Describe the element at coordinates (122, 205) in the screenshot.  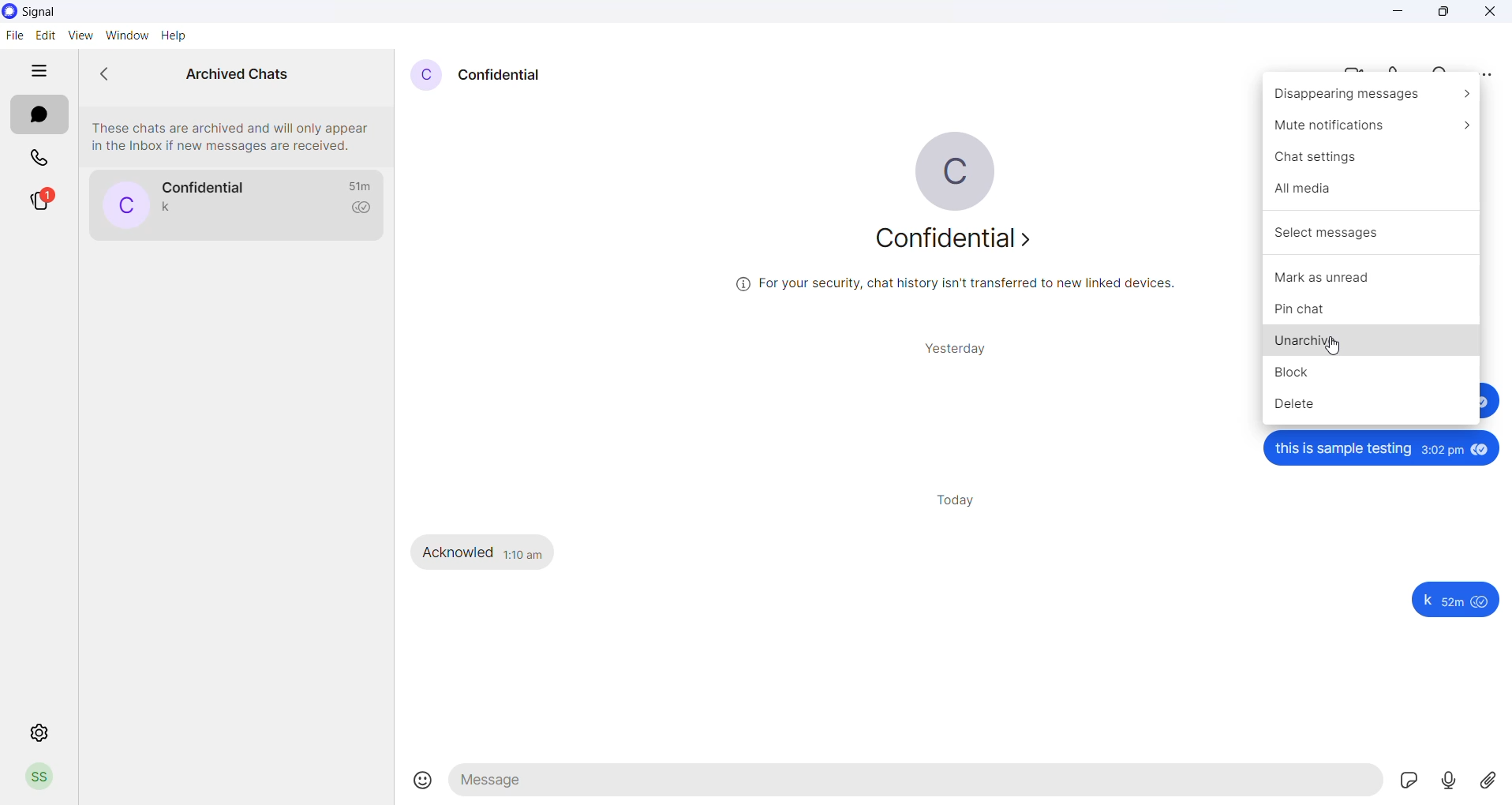
I see `profile picture` at that location.